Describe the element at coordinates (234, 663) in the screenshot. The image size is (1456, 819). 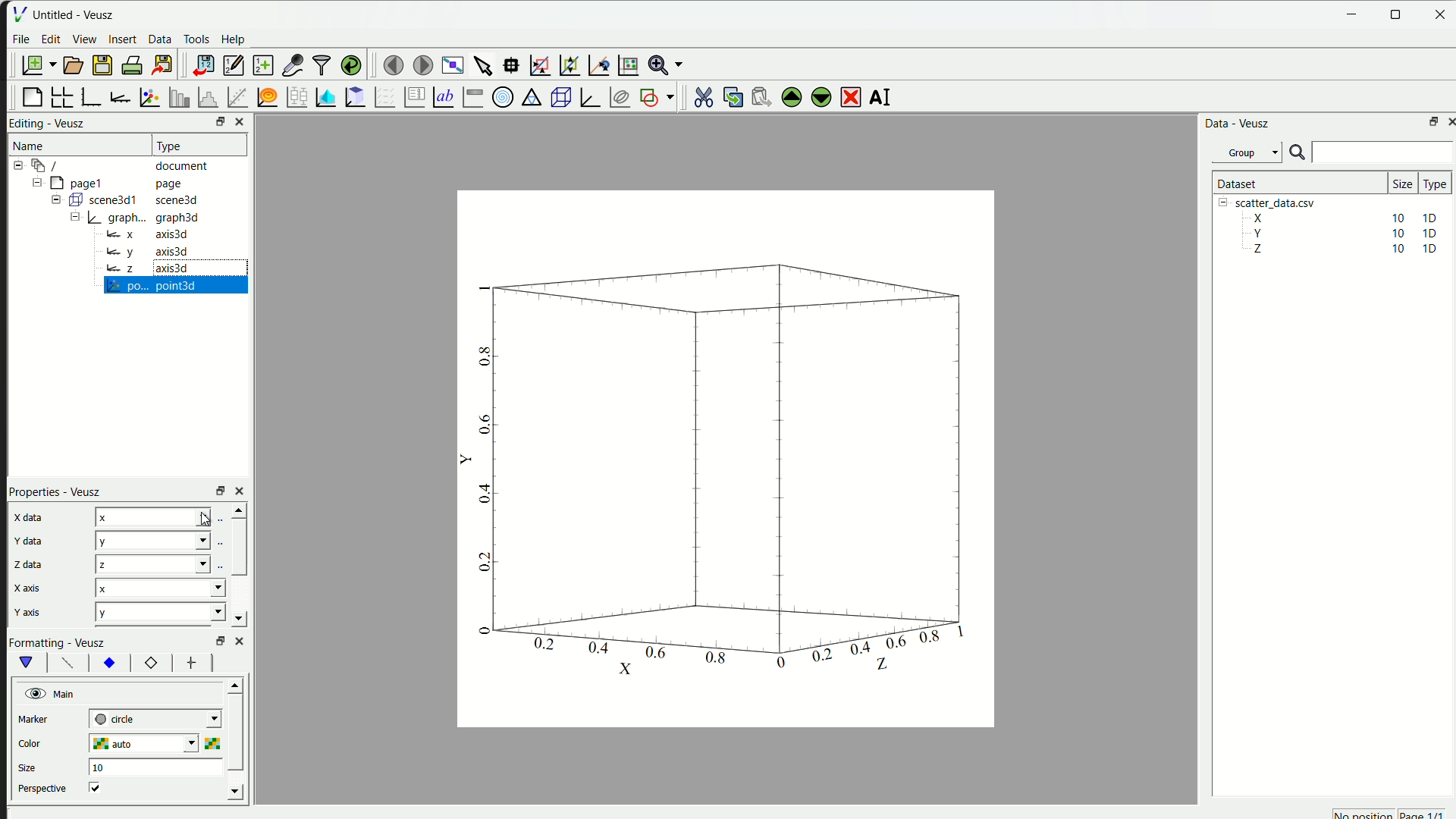
I see `left right button` at that location.